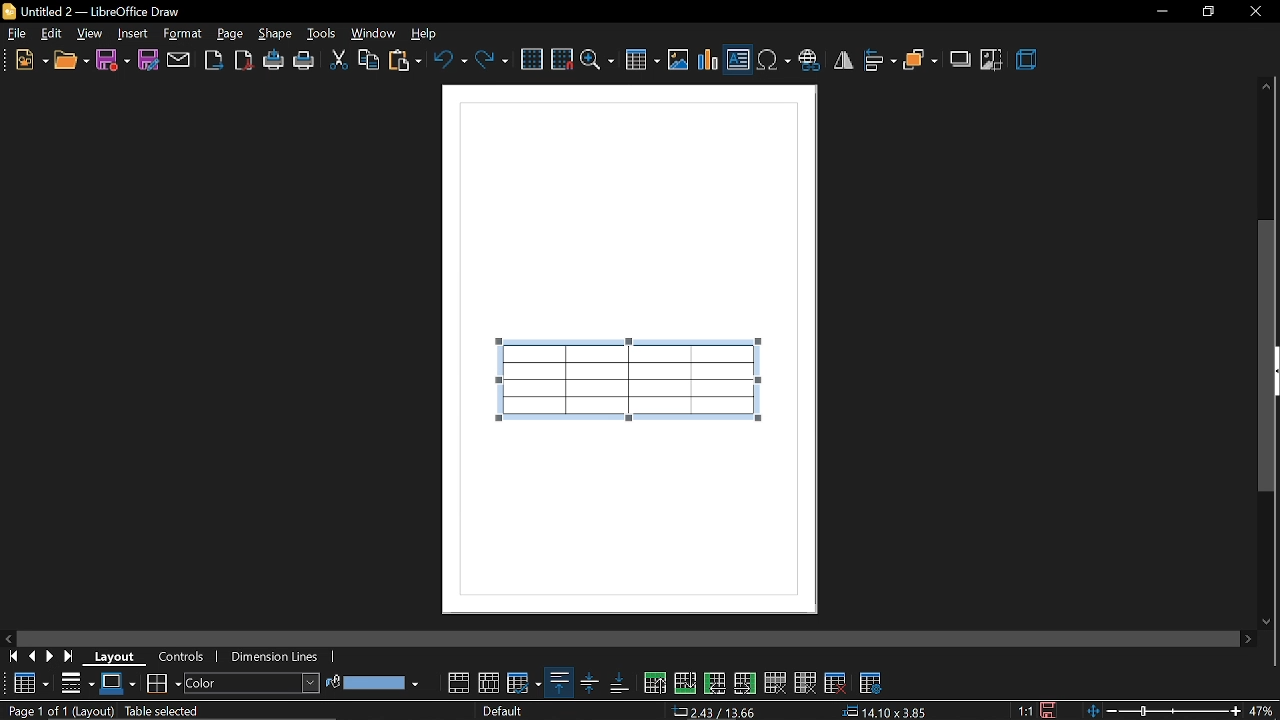 The height and width of the screenshot is (720, 1280). I want to click on align top, so click(558, 682).